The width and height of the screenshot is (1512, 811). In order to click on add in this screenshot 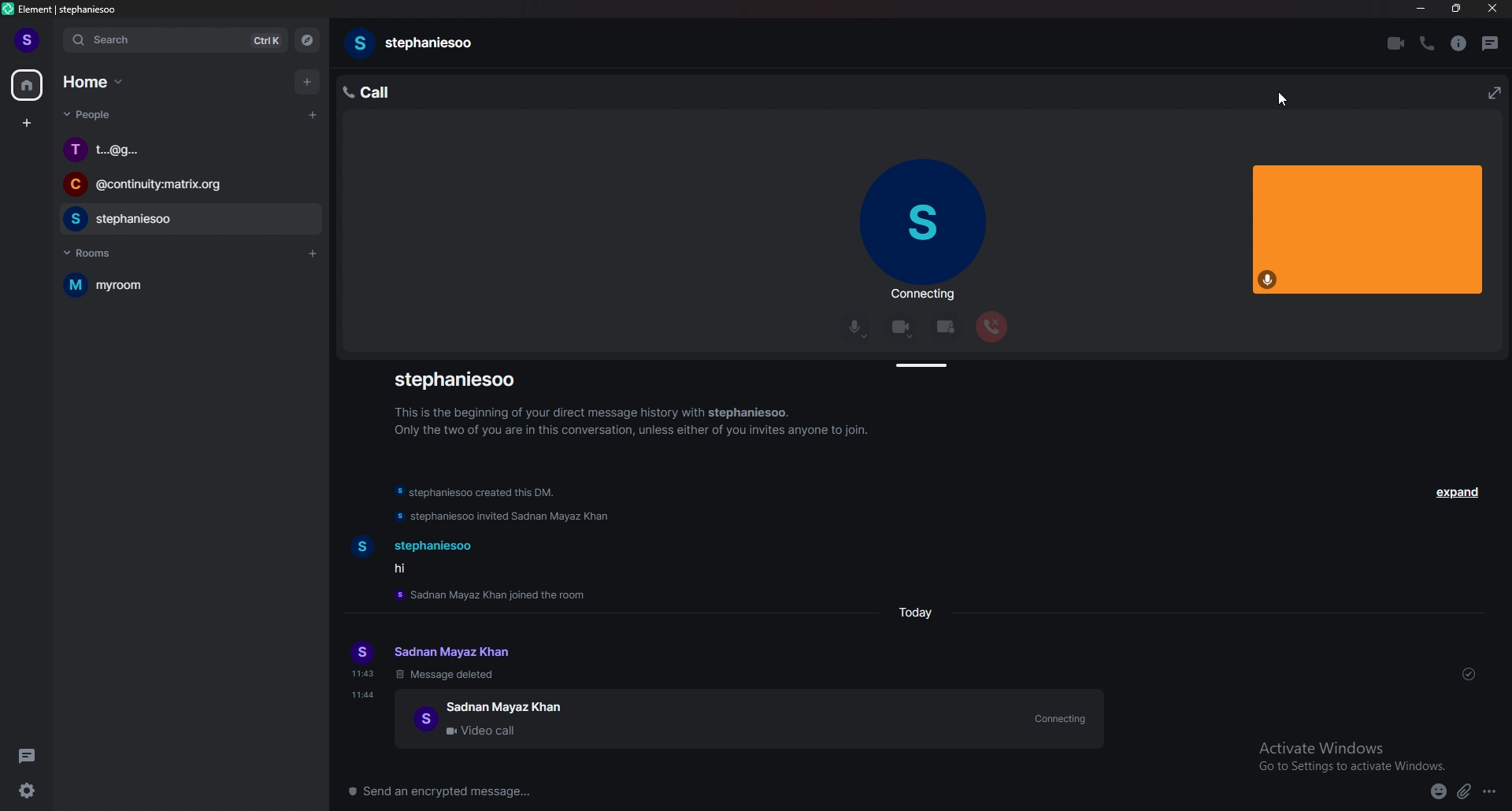, I will do `click(310, 83)`.